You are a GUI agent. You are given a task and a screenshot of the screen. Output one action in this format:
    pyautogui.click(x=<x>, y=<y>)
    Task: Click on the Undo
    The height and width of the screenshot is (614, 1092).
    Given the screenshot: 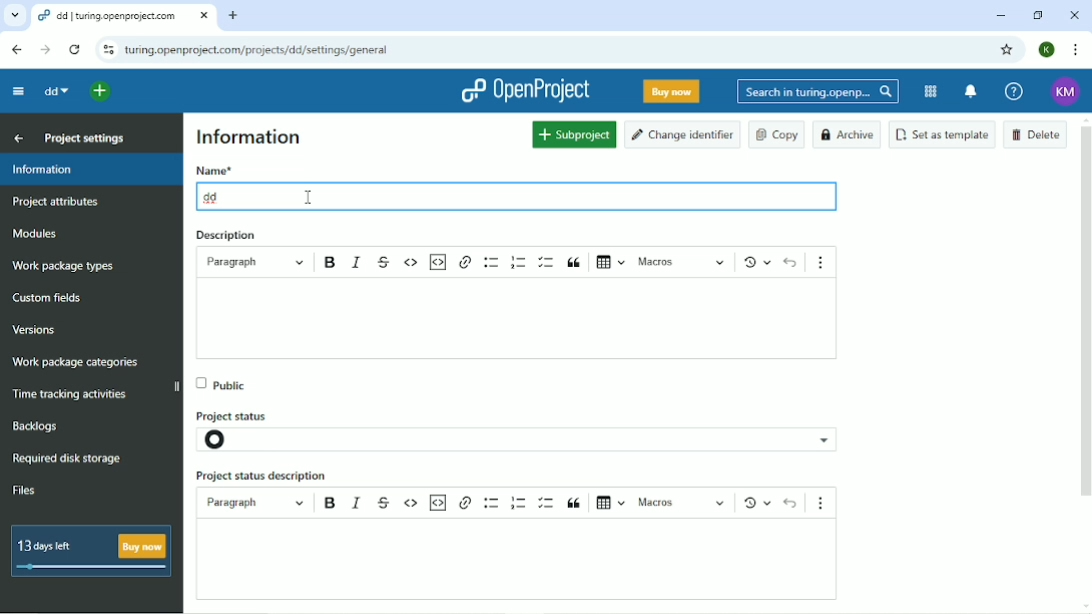 What is the action you would take?
    pyautogui.click(x=791, y=262)
    